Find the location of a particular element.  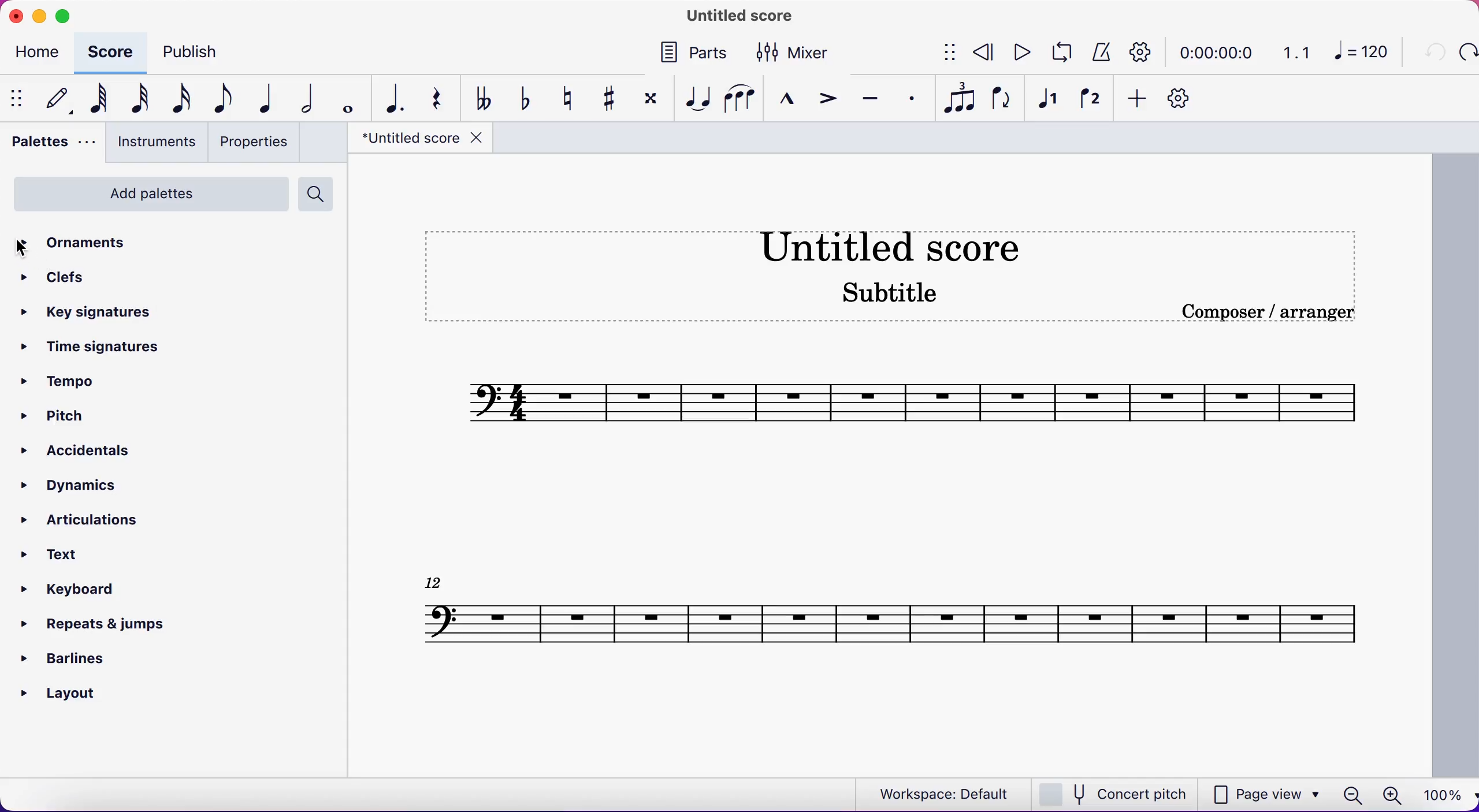

toggle flat is located at coordinates (523, 99).